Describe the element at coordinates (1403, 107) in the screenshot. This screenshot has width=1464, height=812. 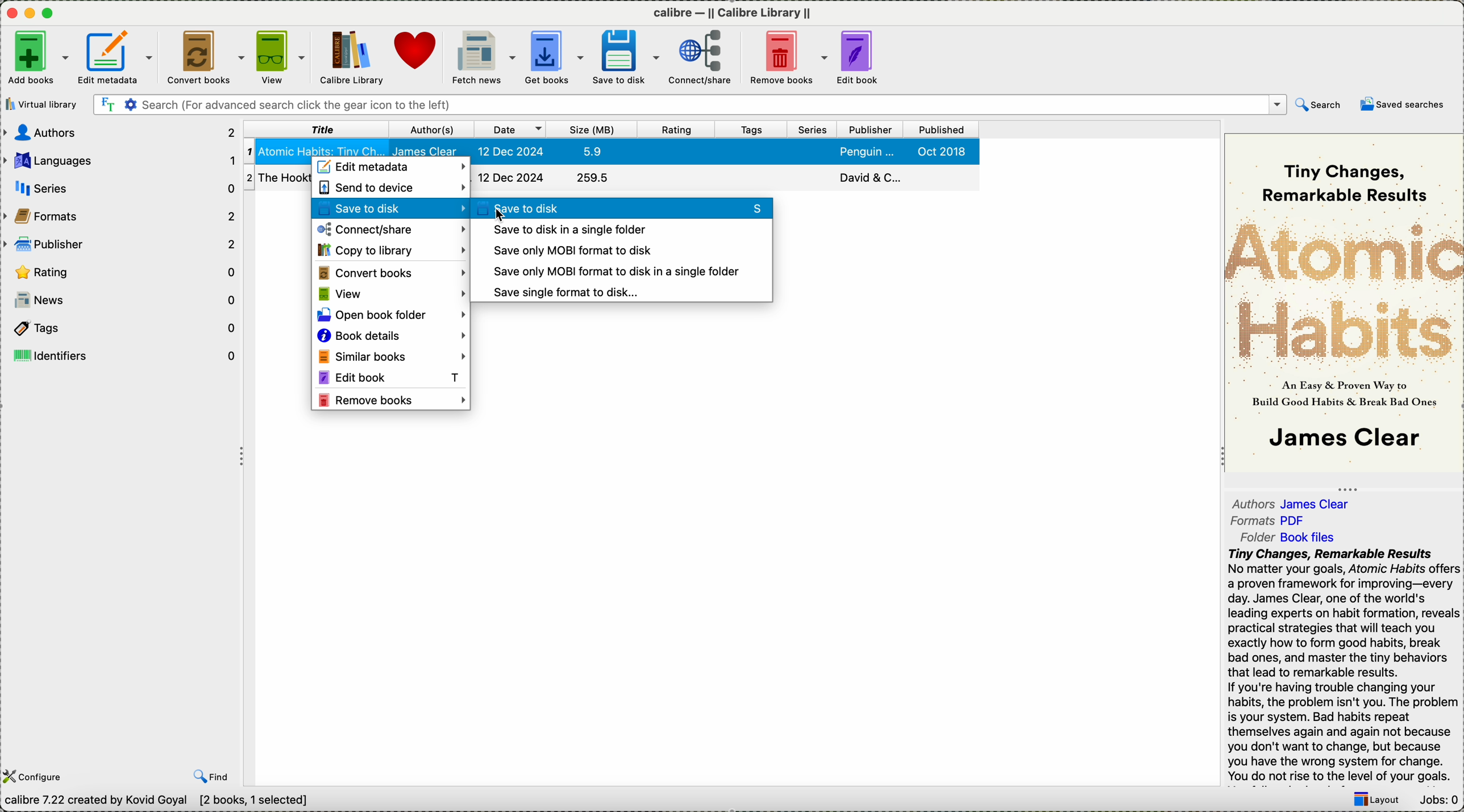
I see `saved searches` at that location.